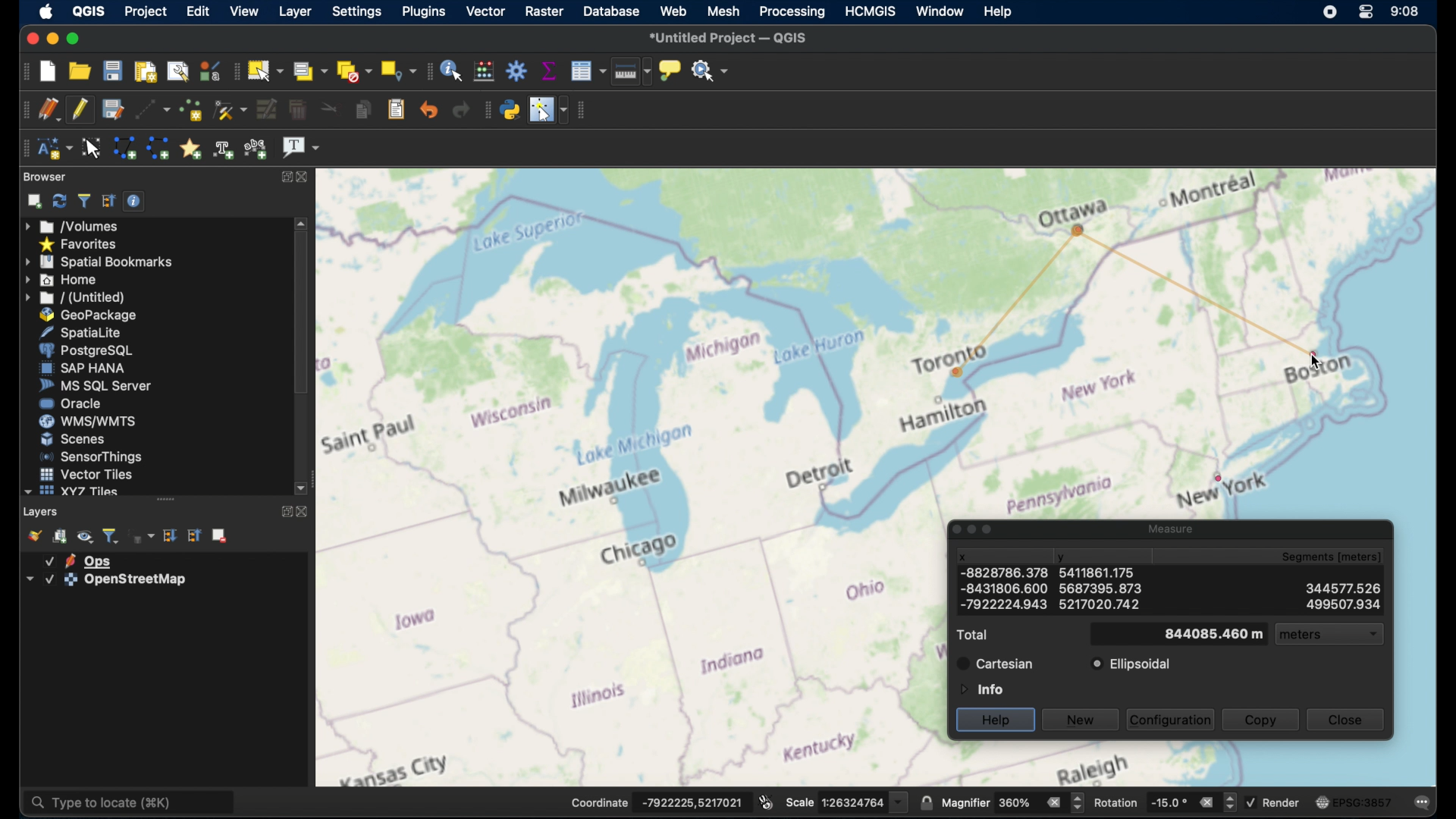 The height and width of the screenshot is (819, 1456). What do you see at coordinates (92, 350) in the screenshot?
I see `postgresql` at bounding box center [92, 350].